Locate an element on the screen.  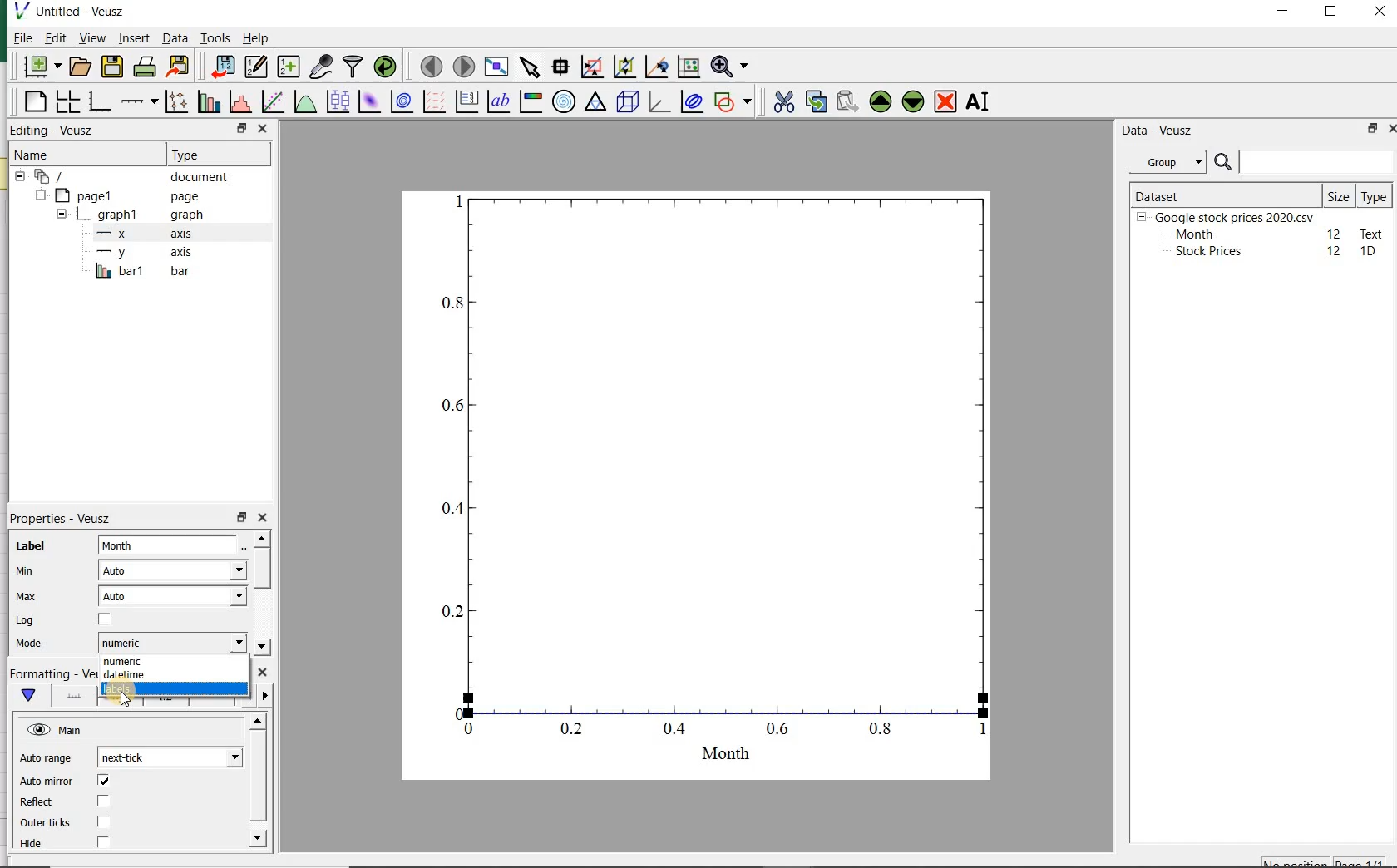
image color bar is located at coordinates (529, 101).